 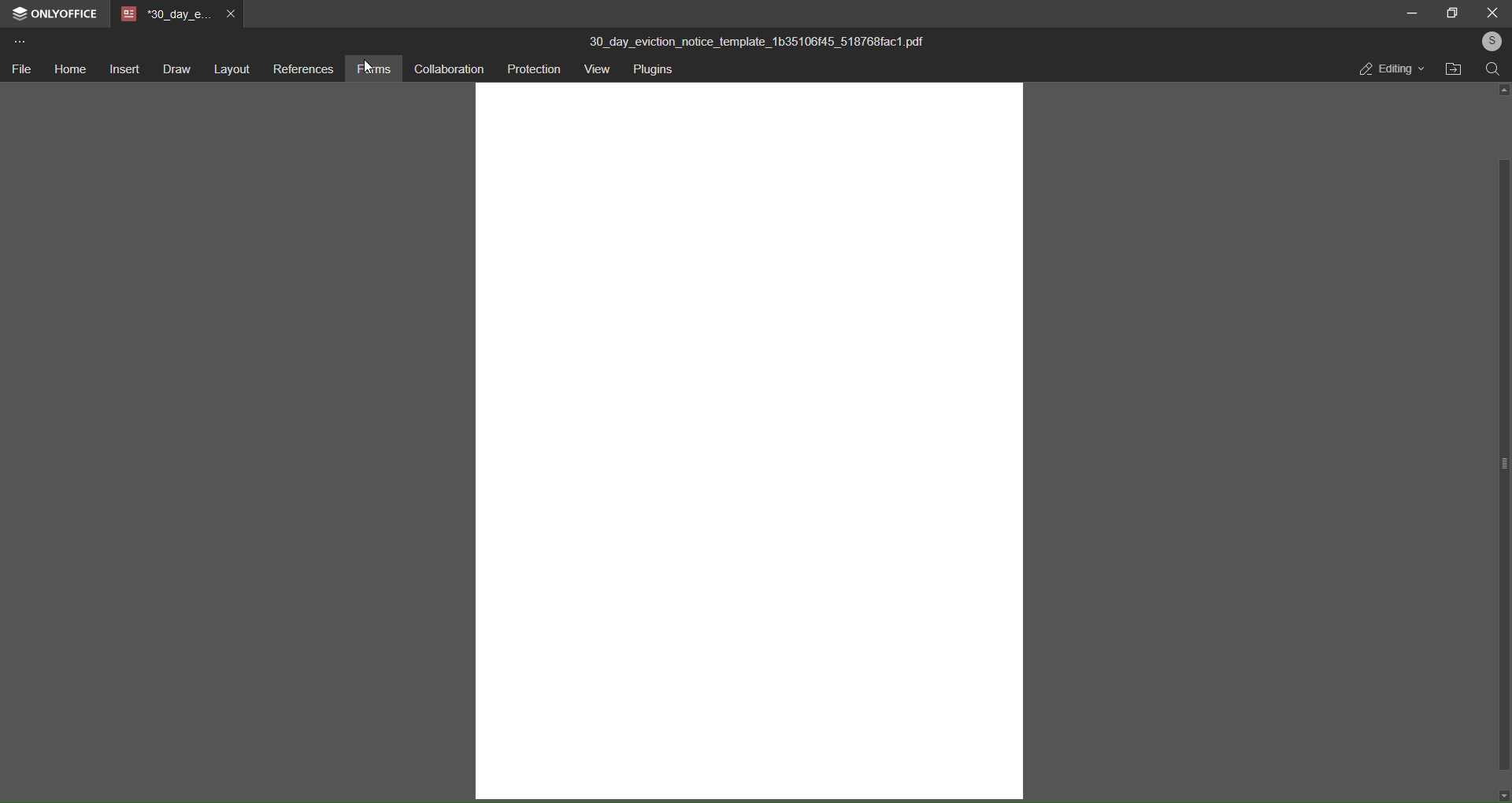 What do you see at coordinates (377, 68) in the screenshot?
I see `form` at bounding box center [377, 68].